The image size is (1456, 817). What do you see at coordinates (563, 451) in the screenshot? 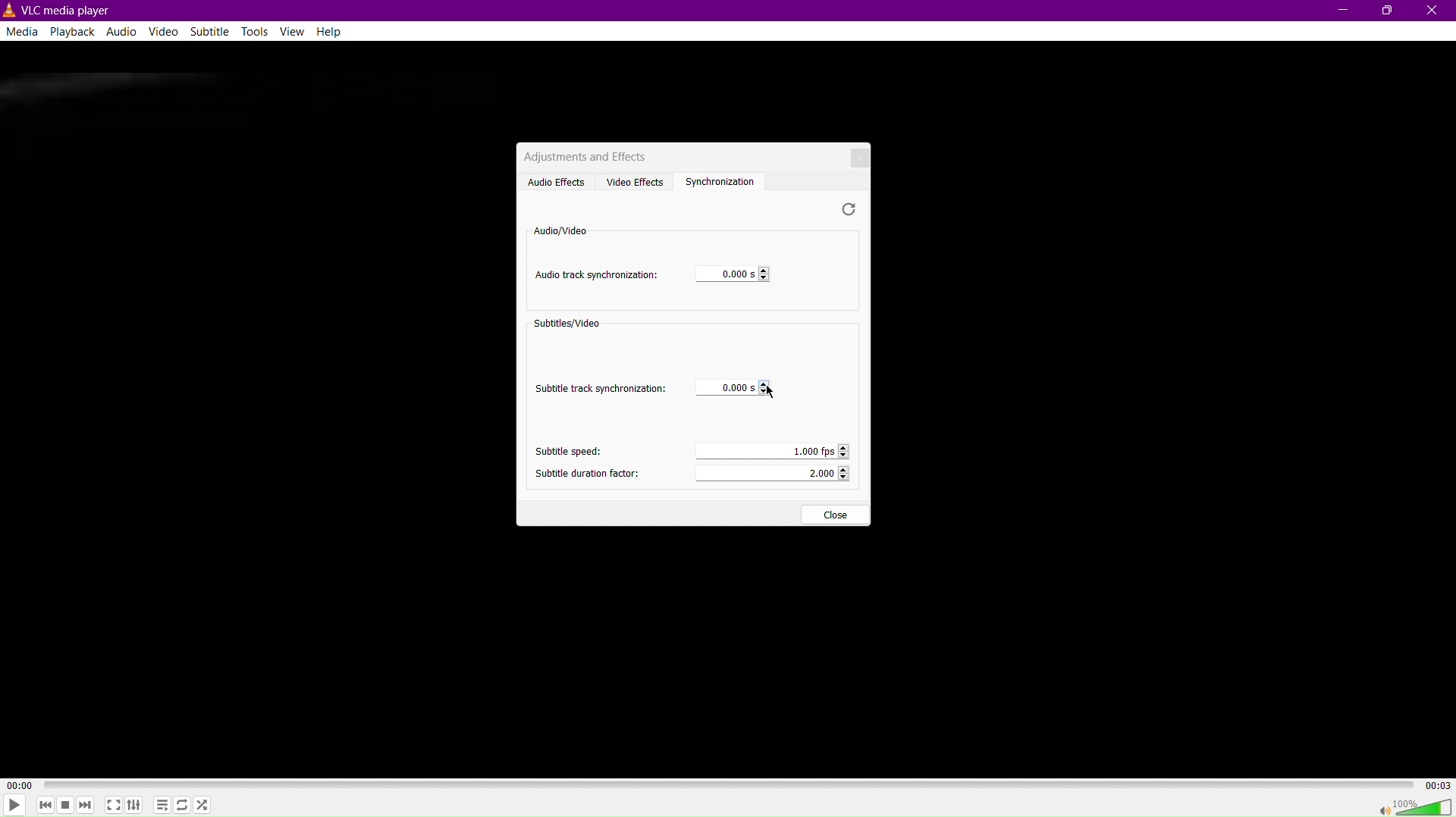
I see `Subtitle speed:` at bounding box center [563, 451].